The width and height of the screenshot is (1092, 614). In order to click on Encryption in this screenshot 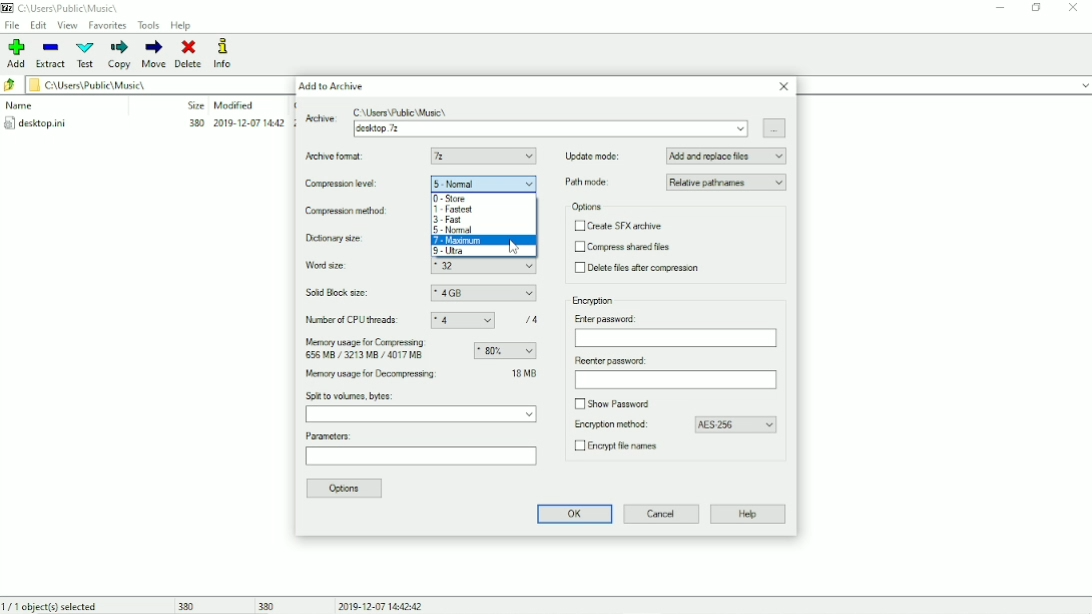, I will do `click(594, 301)`.